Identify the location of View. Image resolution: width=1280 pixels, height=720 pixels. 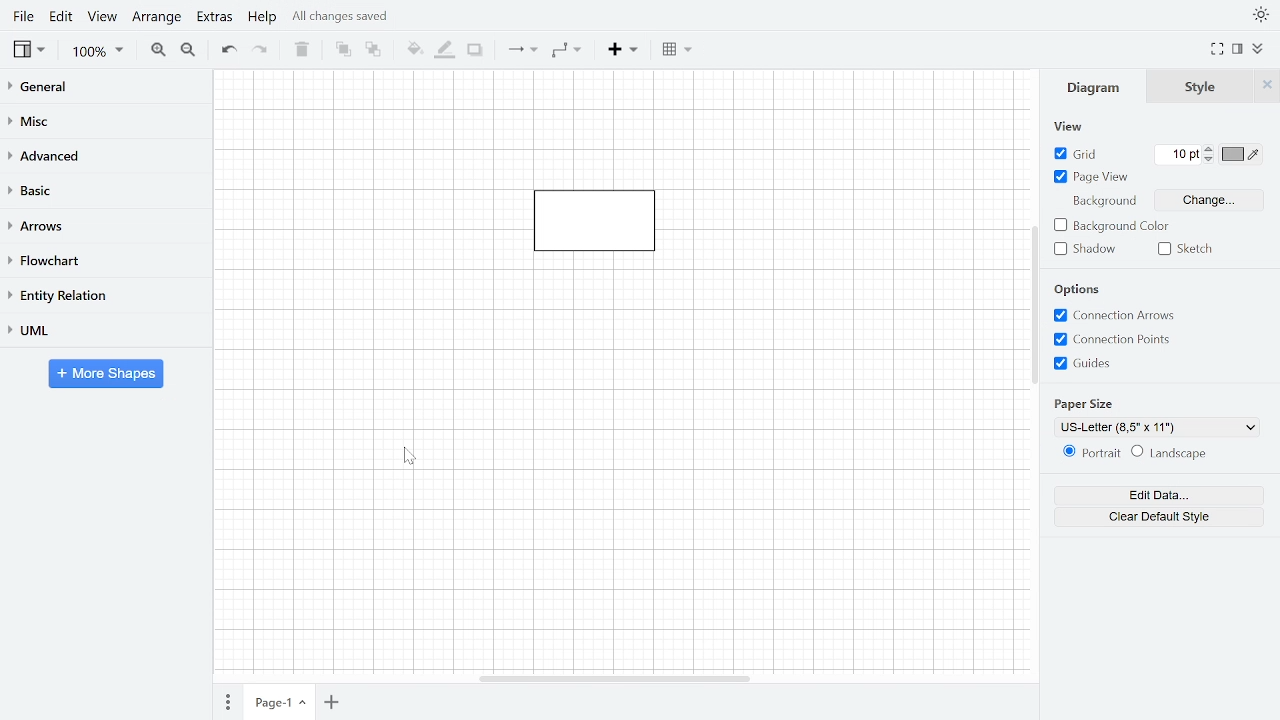
(103, 18).